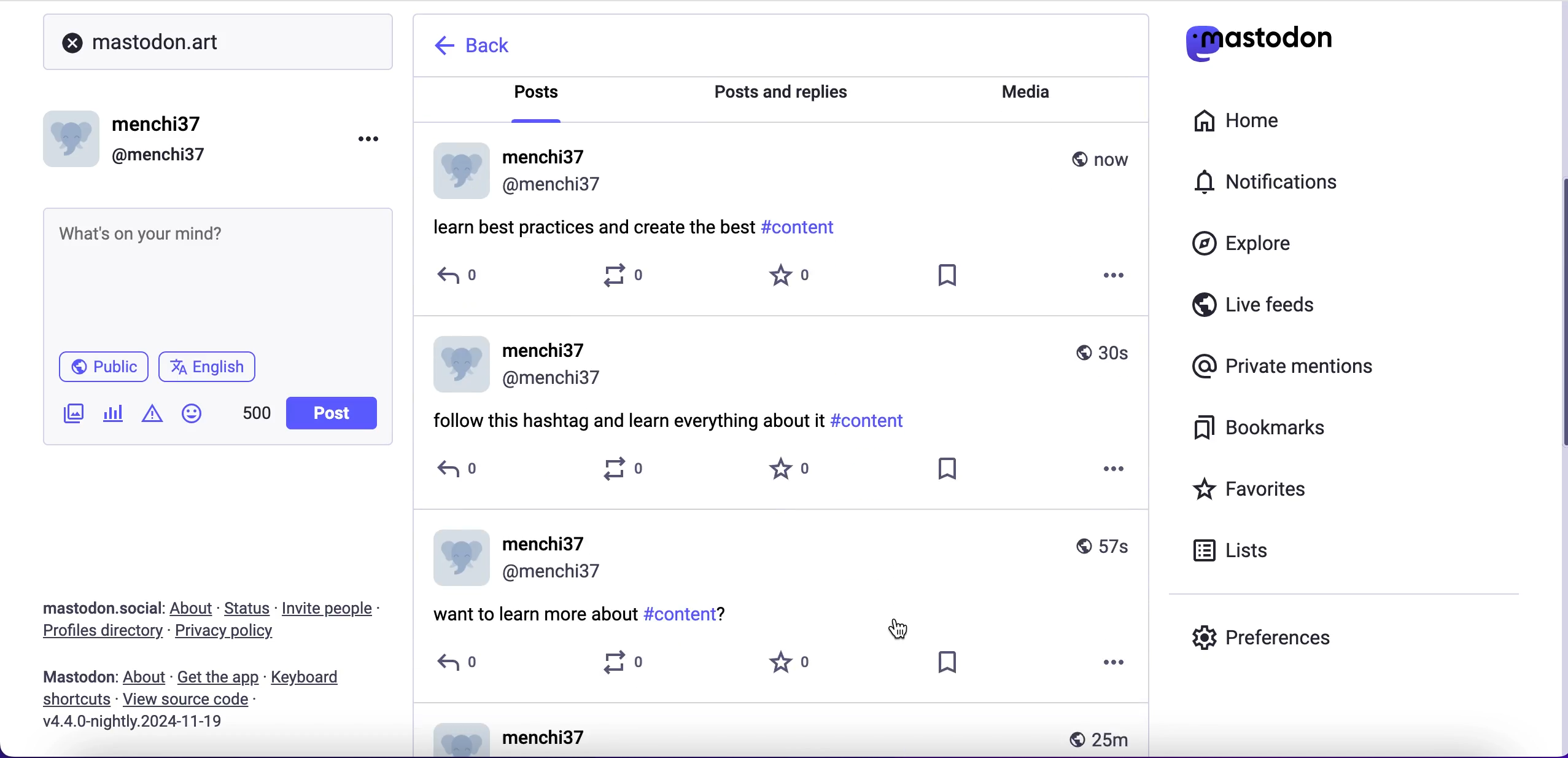 The image size is (1568, 758). Describe the element at coordinates (248, 608) in the screenshot. I see `status` at that location.